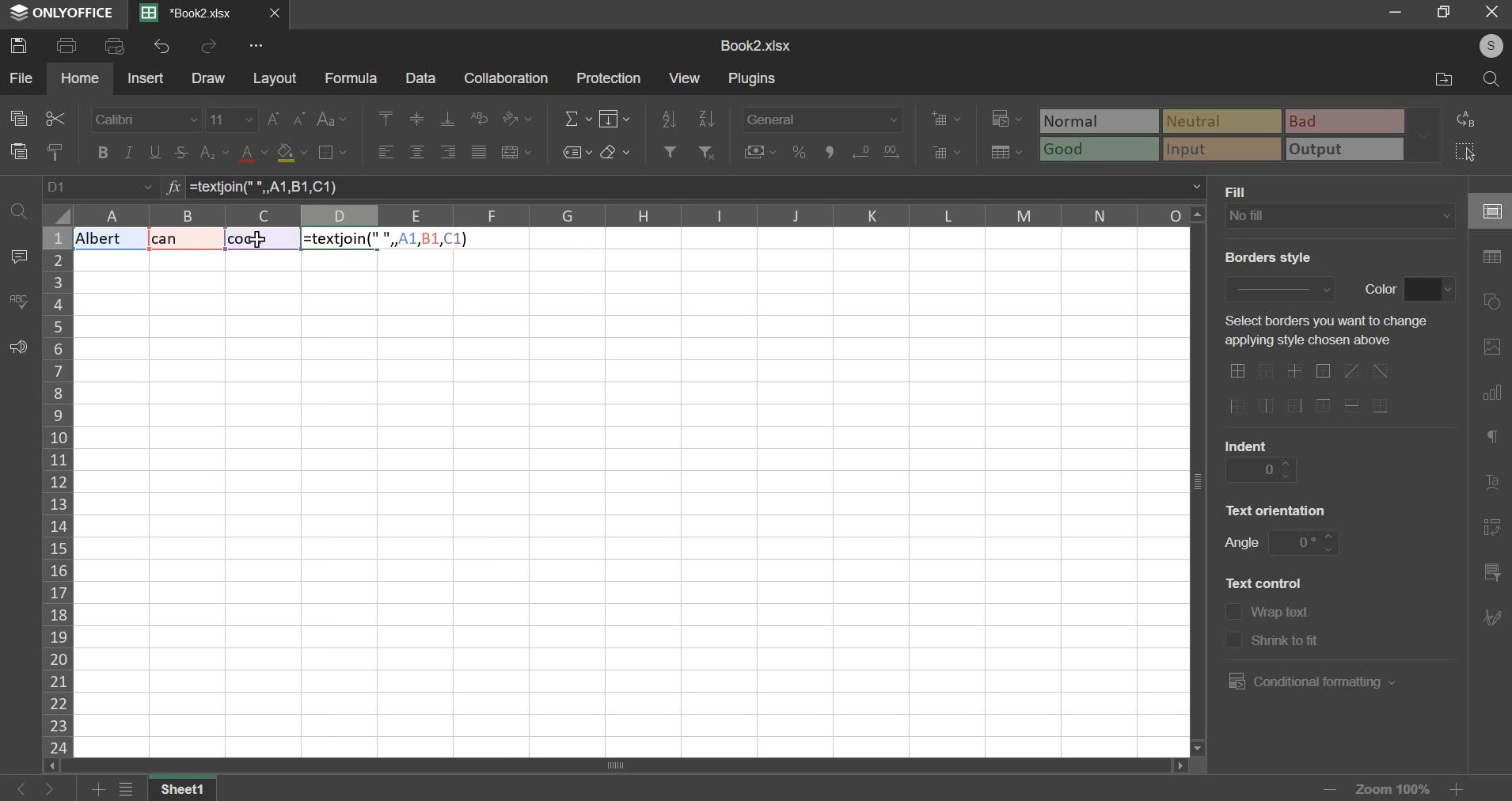 The image size is (1512, 801). I want to click on sum, so click(578, 117).